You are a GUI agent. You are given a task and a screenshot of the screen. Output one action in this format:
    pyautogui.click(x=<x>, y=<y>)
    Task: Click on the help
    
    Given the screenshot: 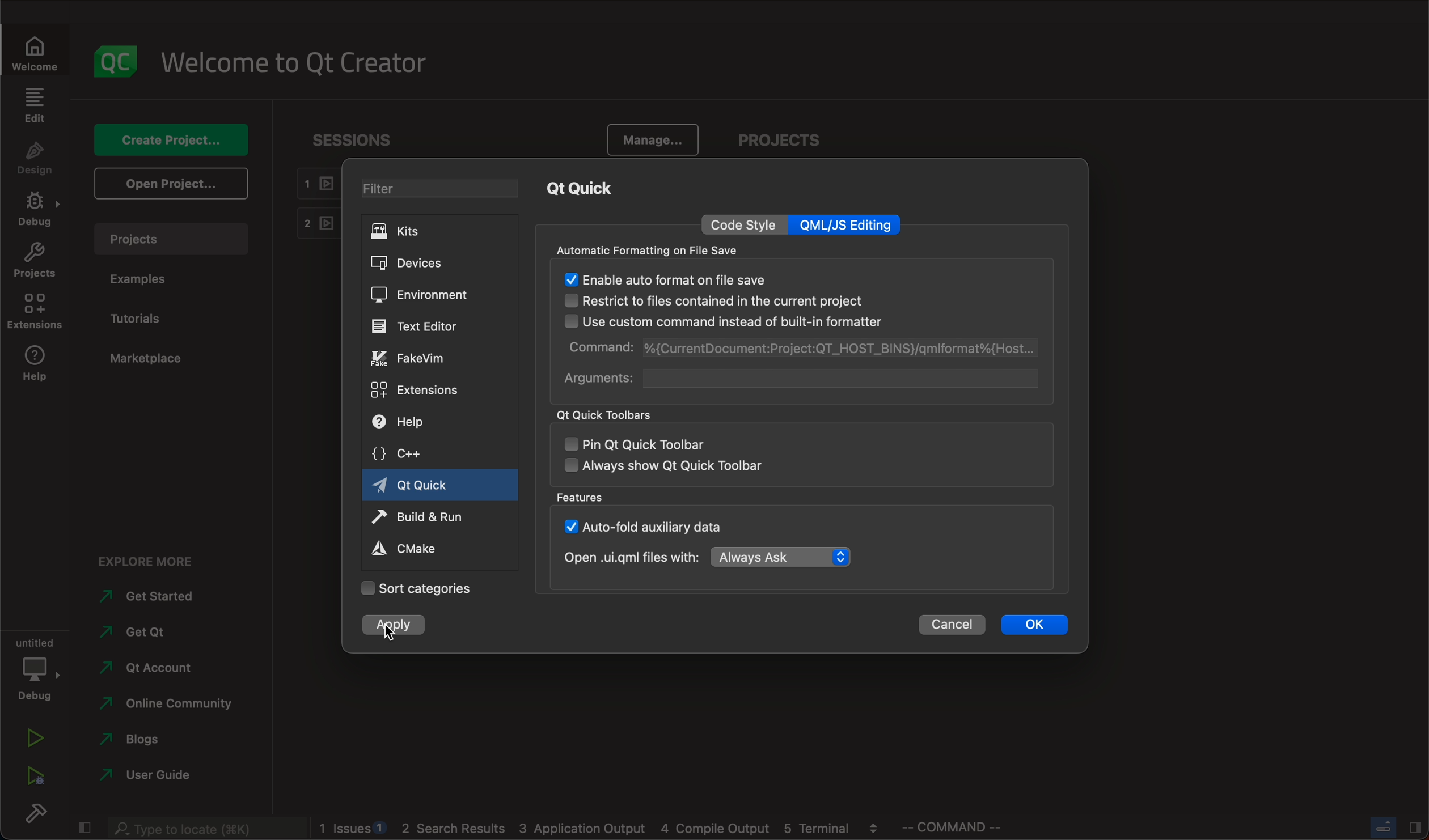 What is the action you would take?
    pyautogui.click(x=409, y=422)
    